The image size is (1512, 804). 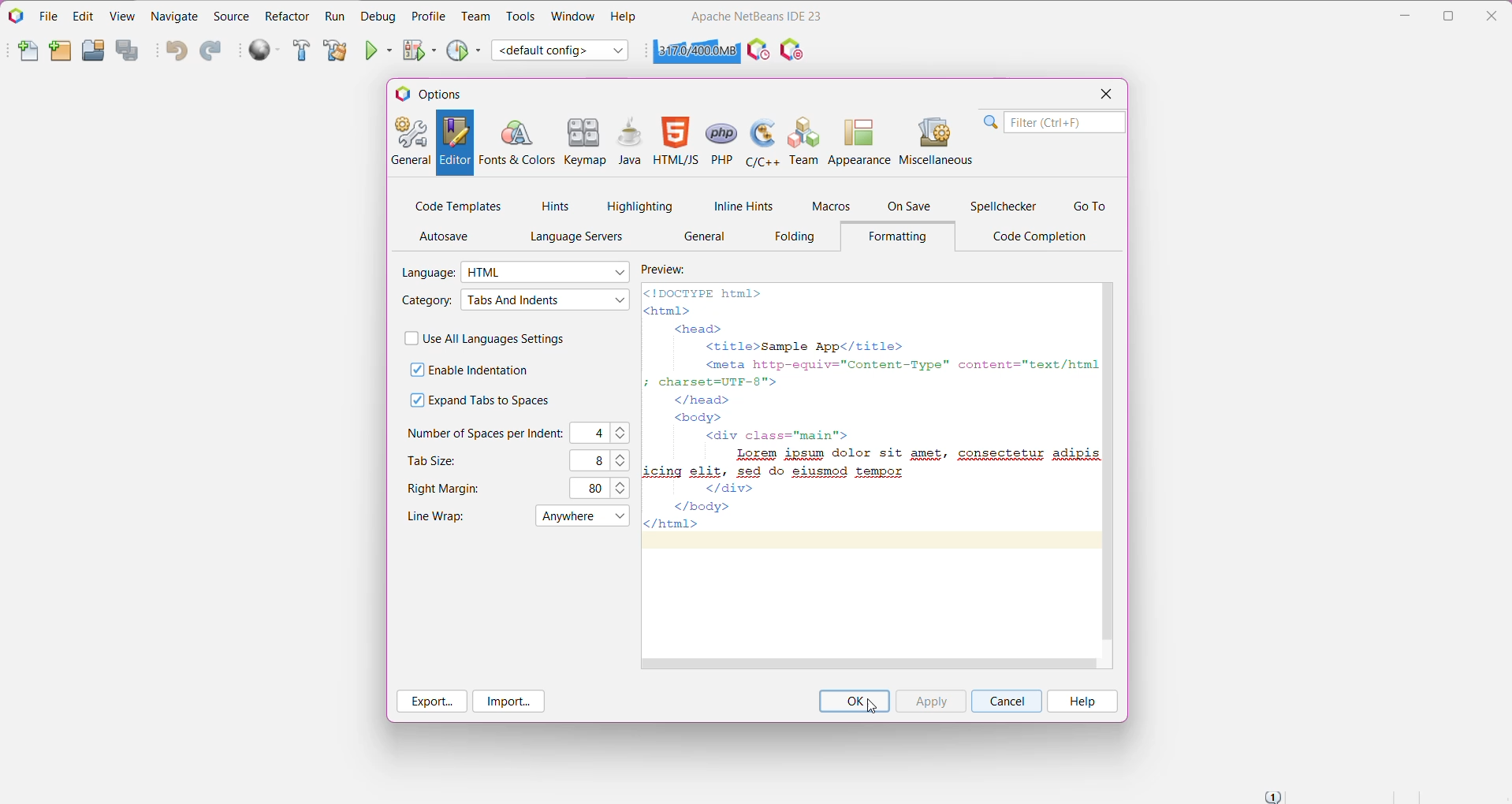 I want to click on Folding, so click(x=796, y=236).